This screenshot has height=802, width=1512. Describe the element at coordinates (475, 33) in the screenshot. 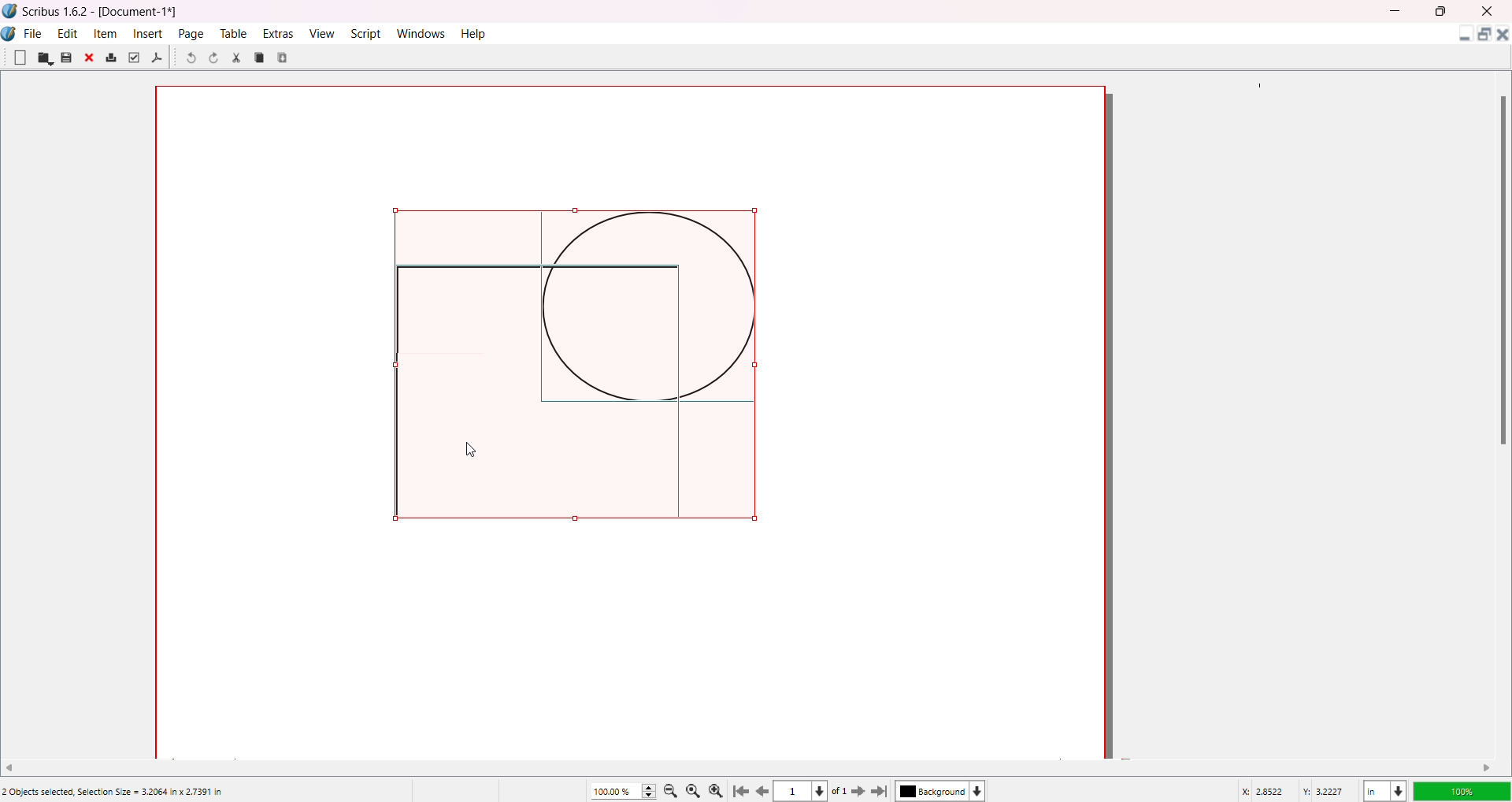

I see `Help` at that location.